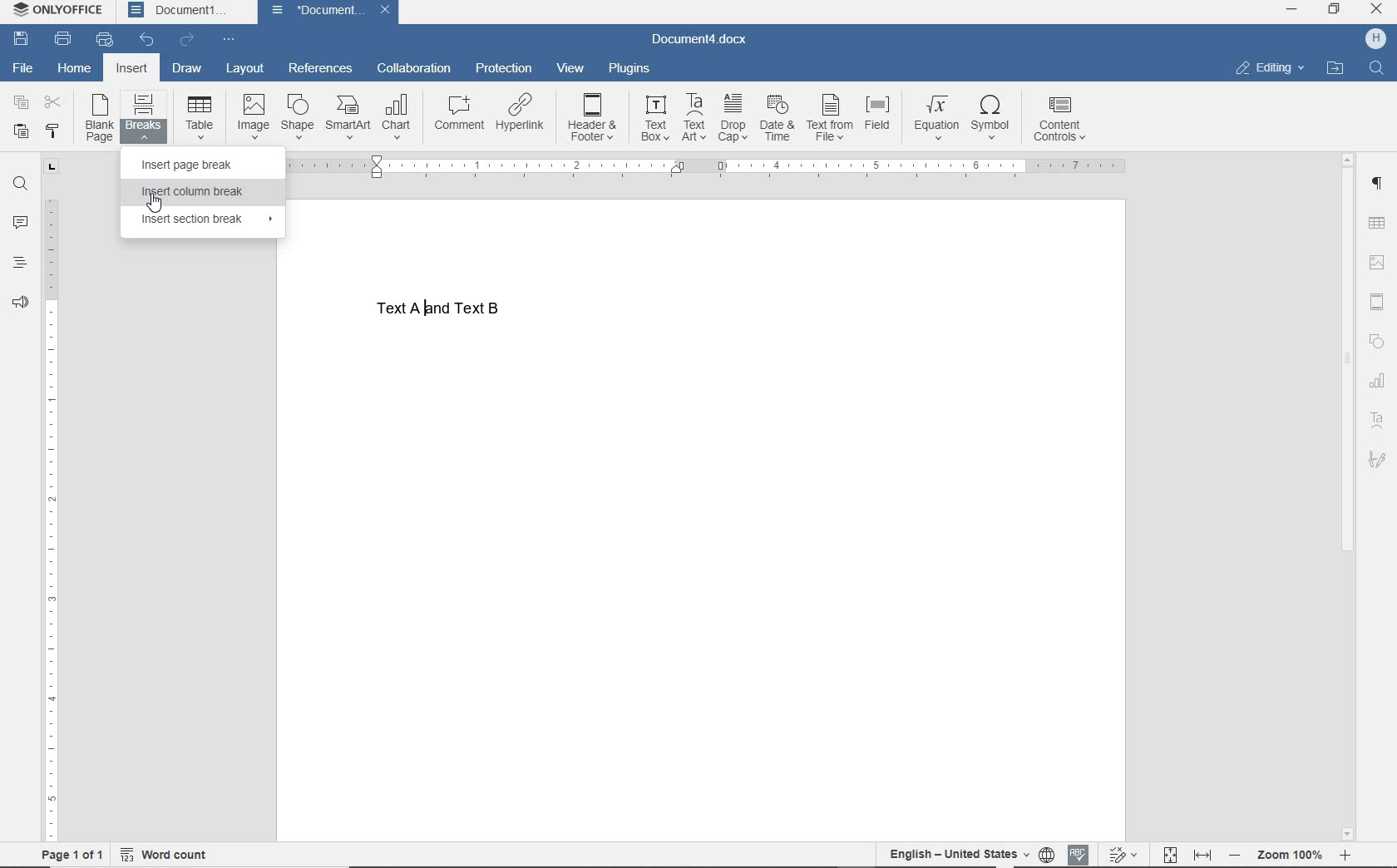  I want to click on BREAKS, so click(146, 119).